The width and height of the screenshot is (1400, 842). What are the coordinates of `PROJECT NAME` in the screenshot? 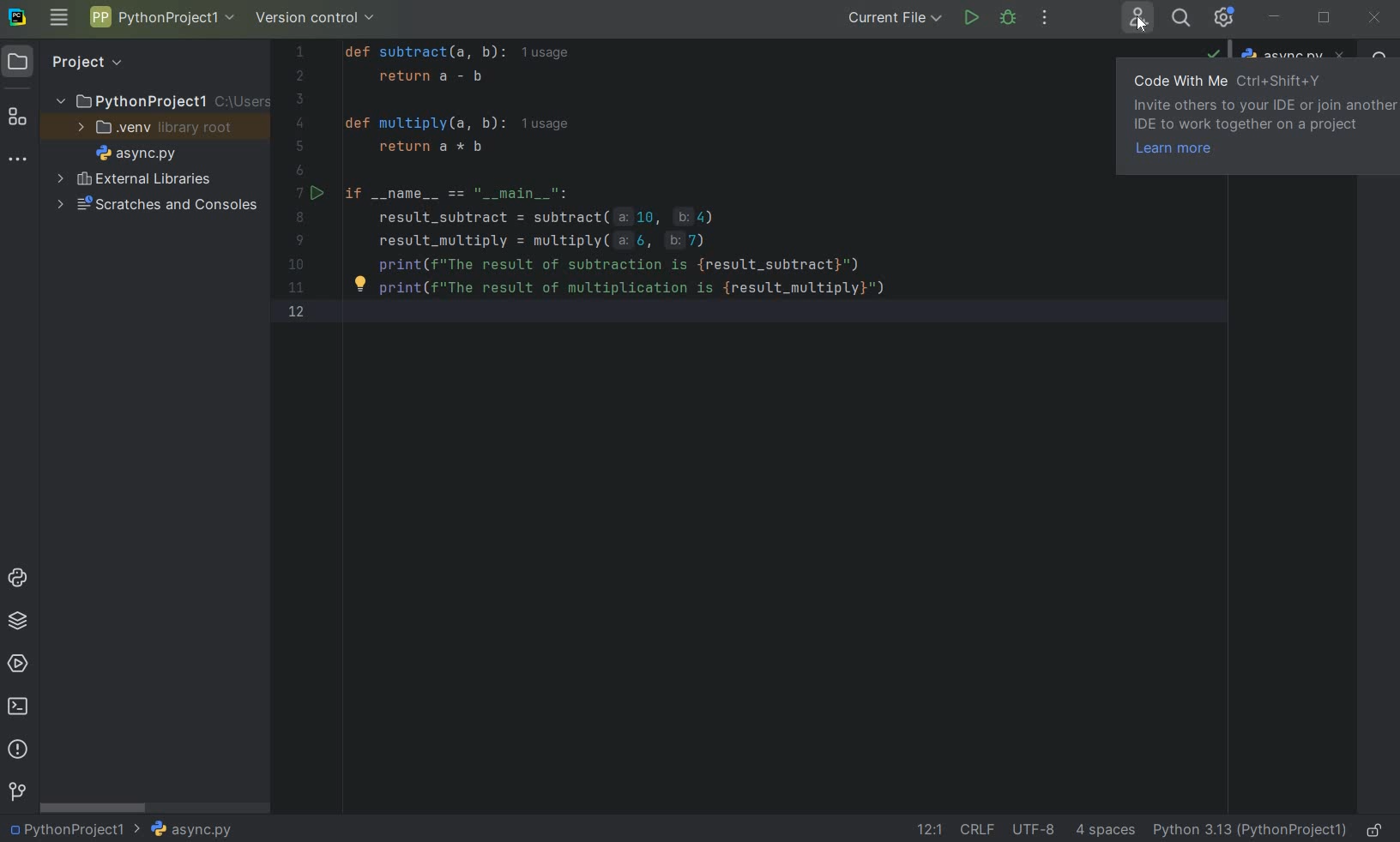 It's located at (75, 829).